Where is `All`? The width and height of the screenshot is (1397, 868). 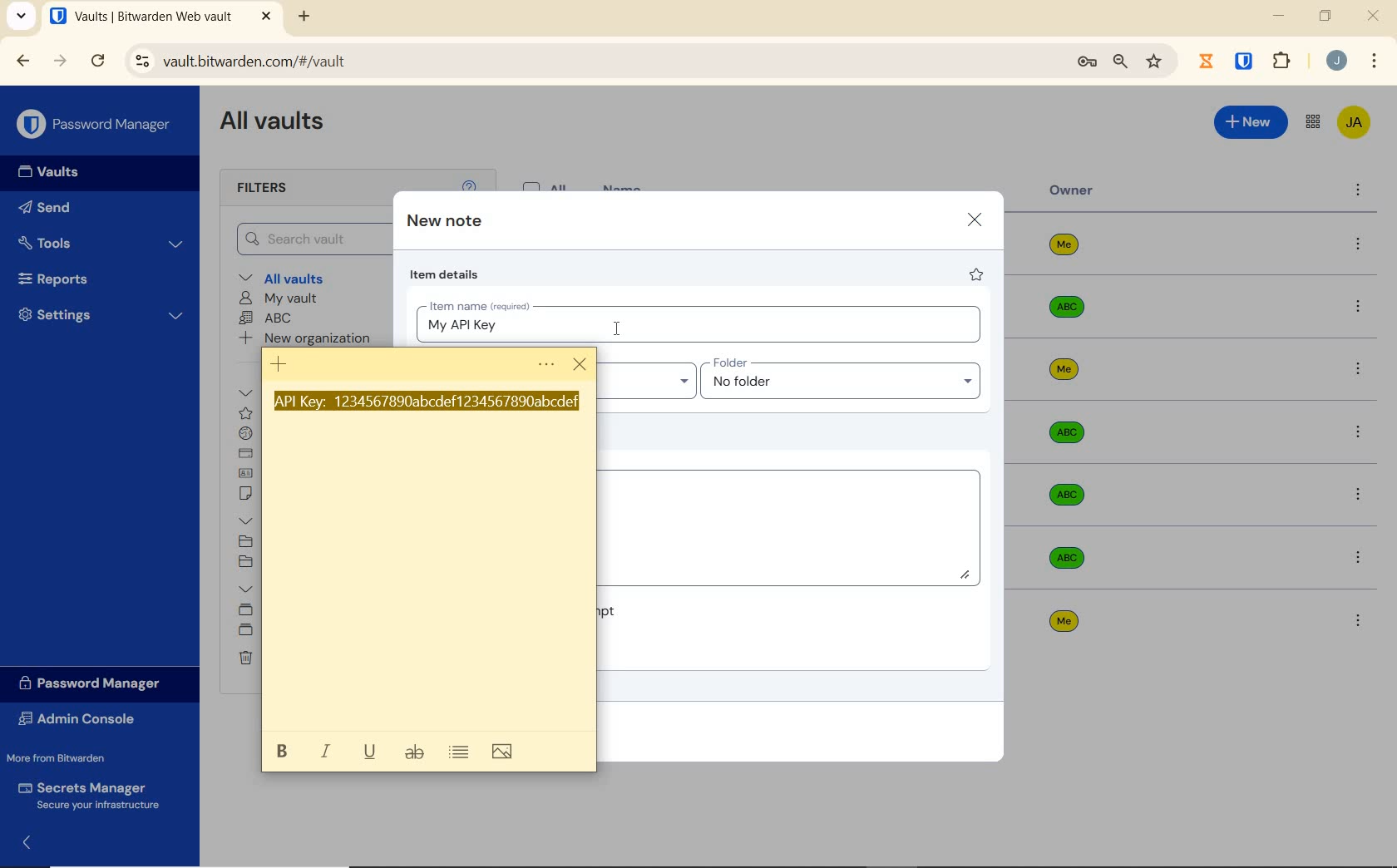 All is located at coordinates (548, 184).